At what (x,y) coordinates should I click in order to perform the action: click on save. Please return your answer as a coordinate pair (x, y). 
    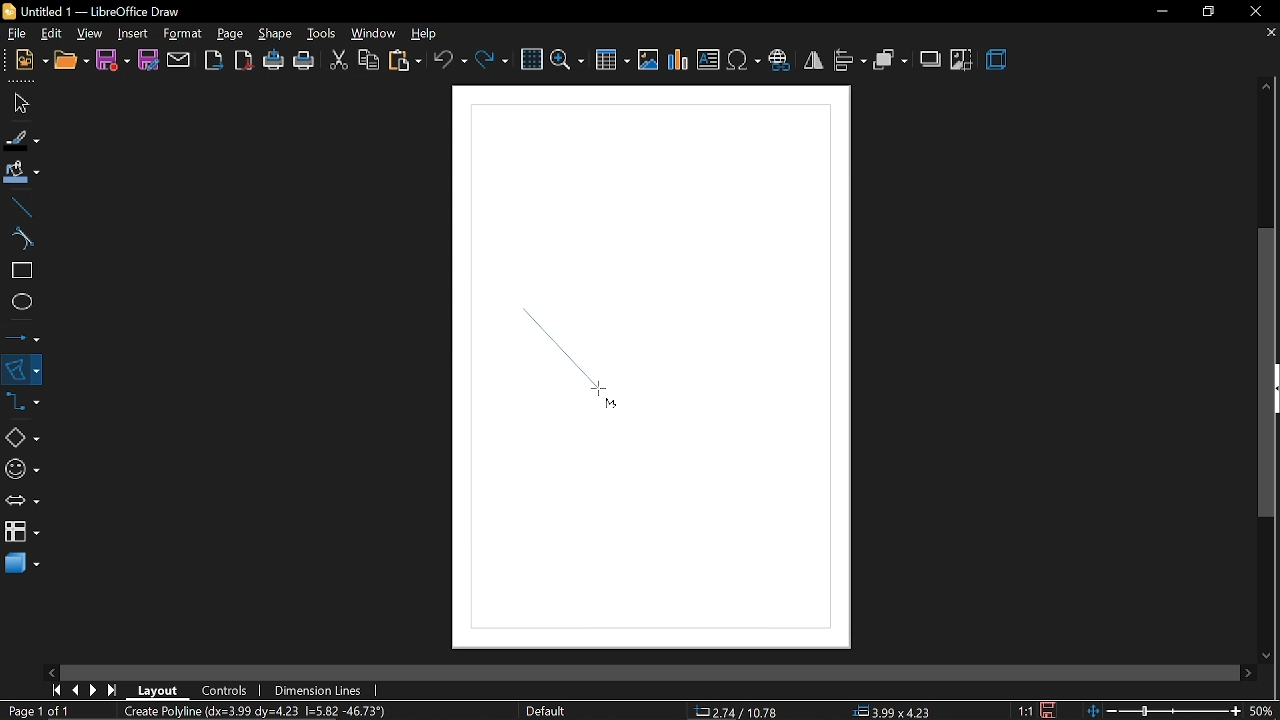
    Looking at the image, I should click on (1054, 708).